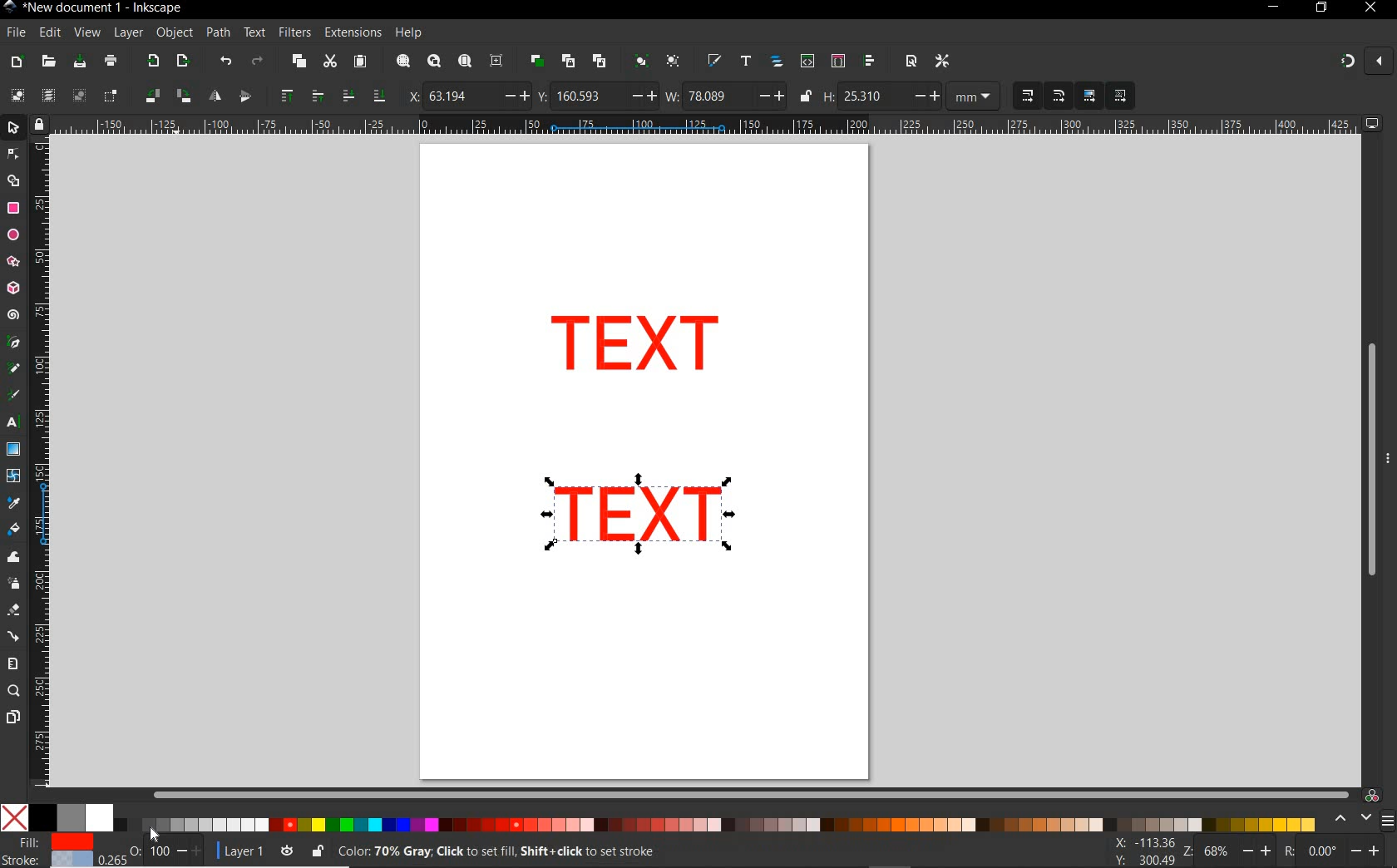 Image resolution: width=1397 pixels, height=868 pixels. I want to click on edit, so click(49, 32).